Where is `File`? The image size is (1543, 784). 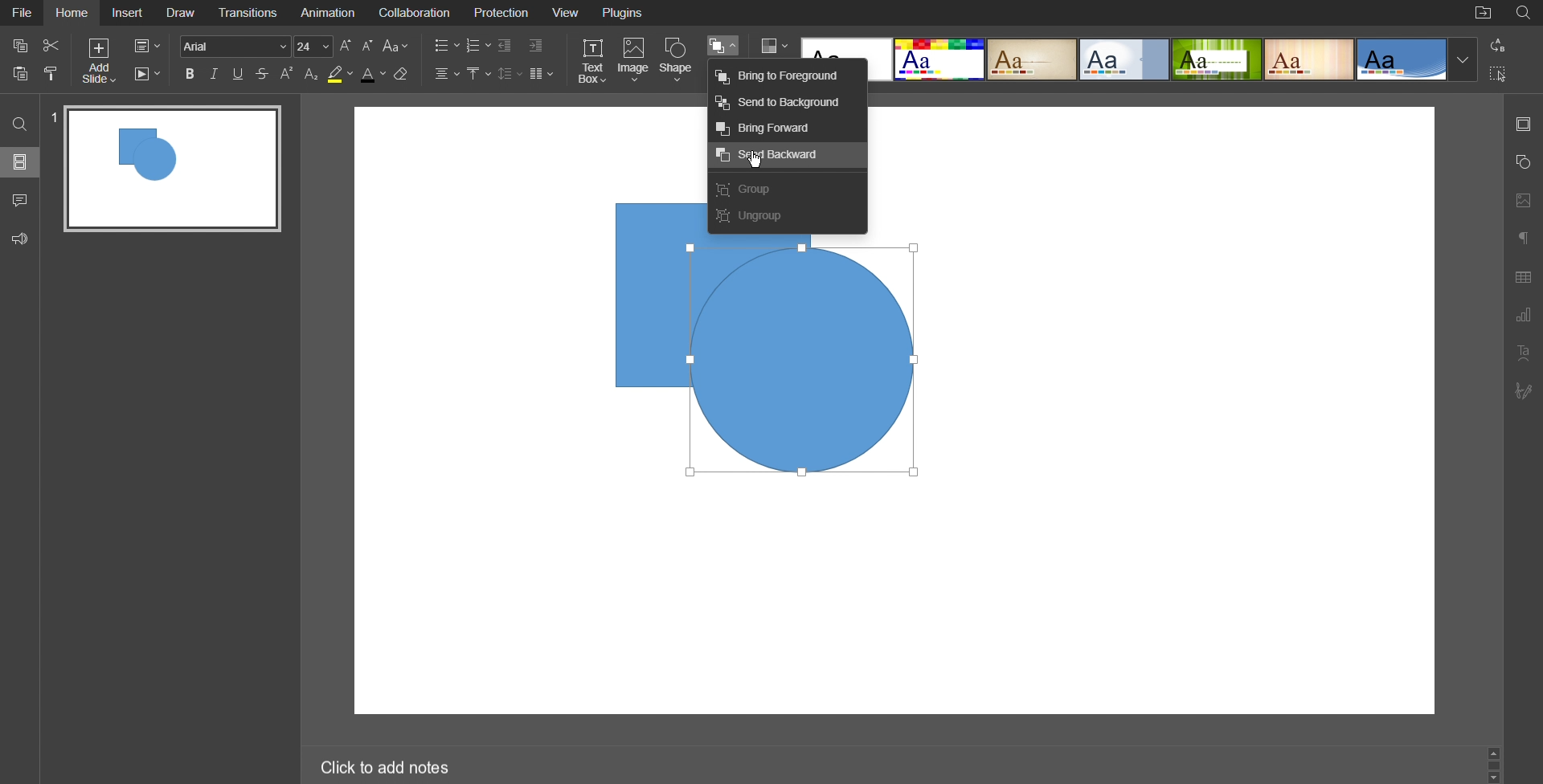
File is located at coordinates (21, 13).